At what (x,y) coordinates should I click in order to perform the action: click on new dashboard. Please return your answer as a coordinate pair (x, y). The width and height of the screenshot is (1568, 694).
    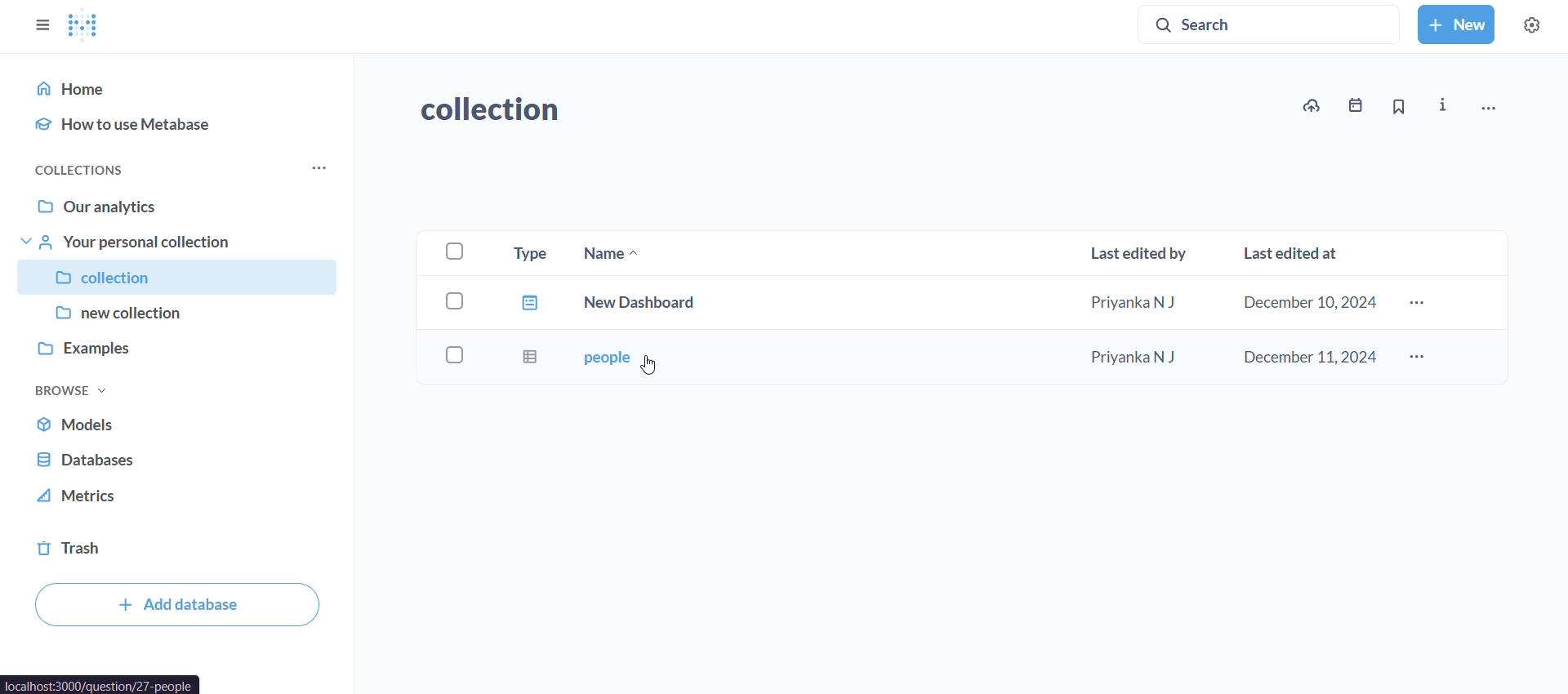
    Looking at the image, I should click on (647, 302).